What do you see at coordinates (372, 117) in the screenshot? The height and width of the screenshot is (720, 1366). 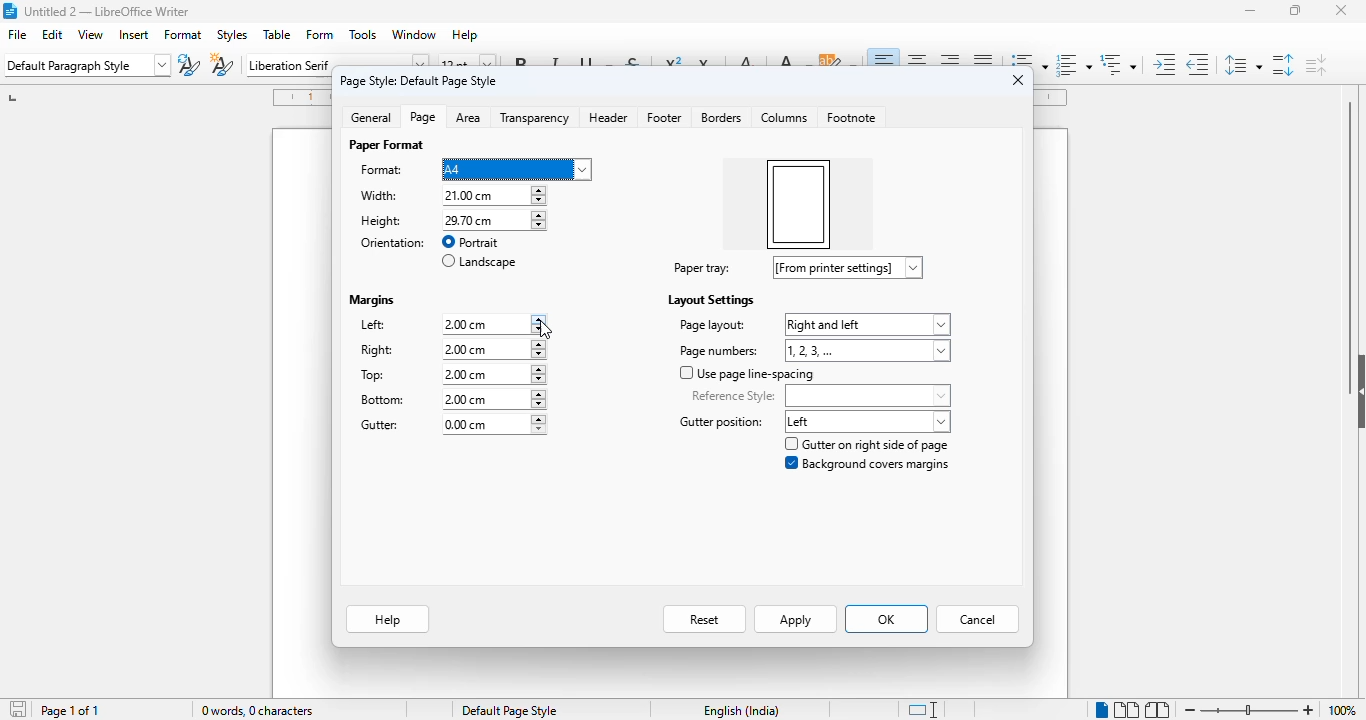 I see `general` at bounding box center [372, 117].